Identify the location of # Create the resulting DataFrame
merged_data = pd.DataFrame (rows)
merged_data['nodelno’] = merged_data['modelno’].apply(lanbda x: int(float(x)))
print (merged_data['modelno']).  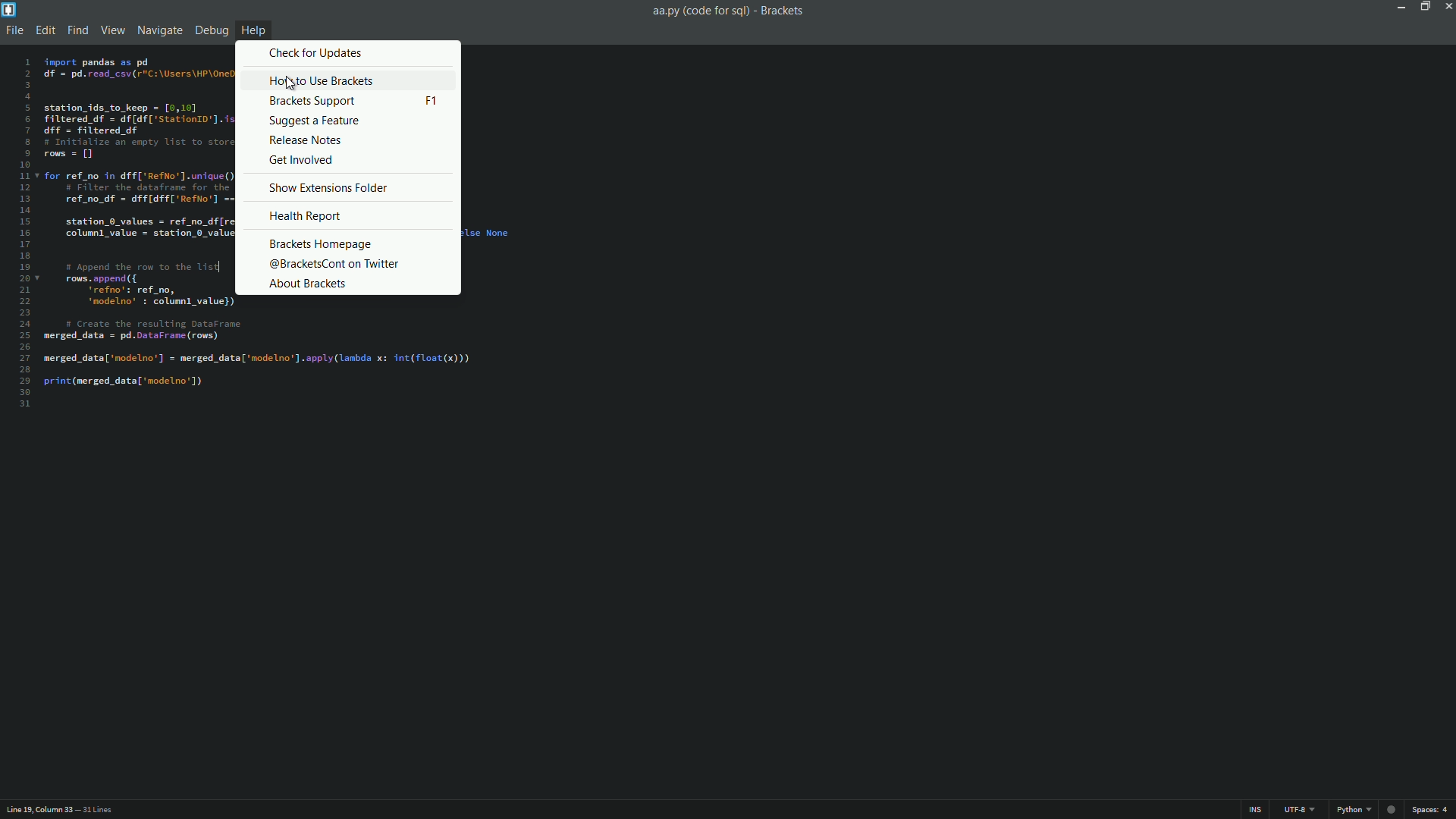
(265, 362).